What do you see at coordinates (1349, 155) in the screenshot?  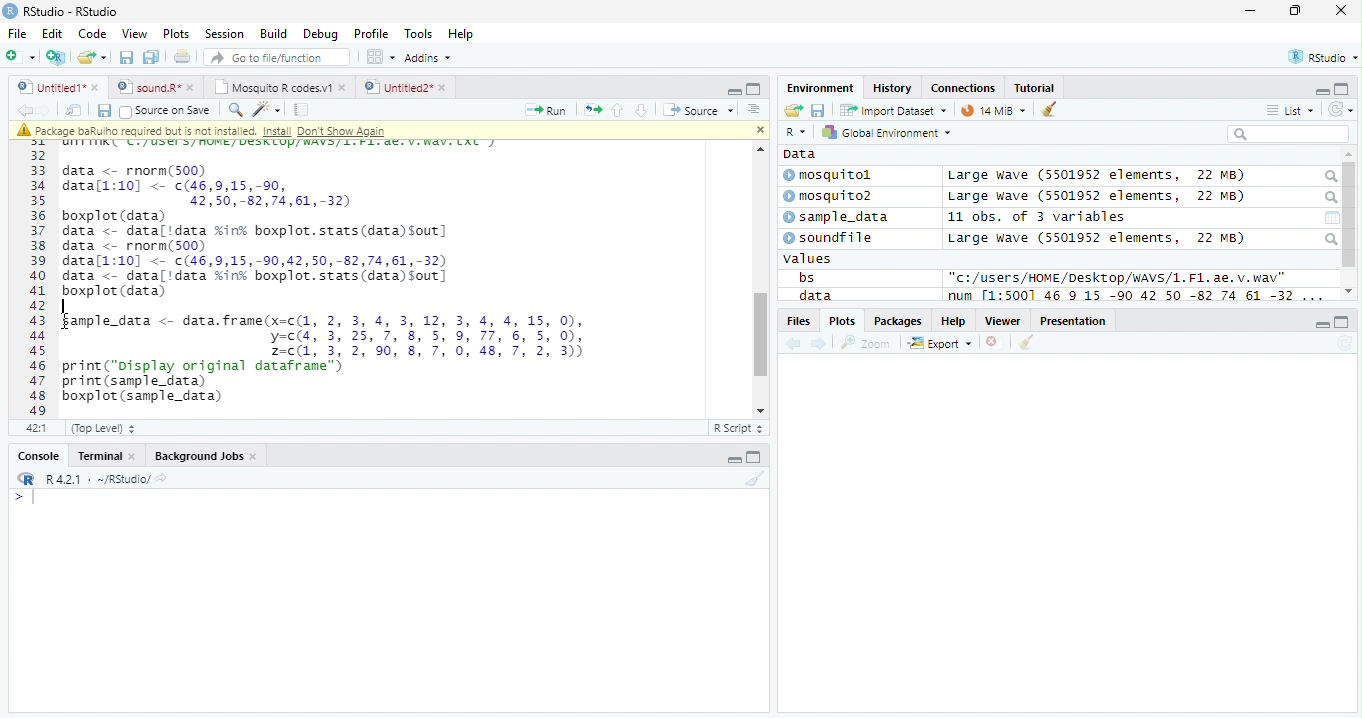 I see `scroll up` at bounding box center [1349, 155].